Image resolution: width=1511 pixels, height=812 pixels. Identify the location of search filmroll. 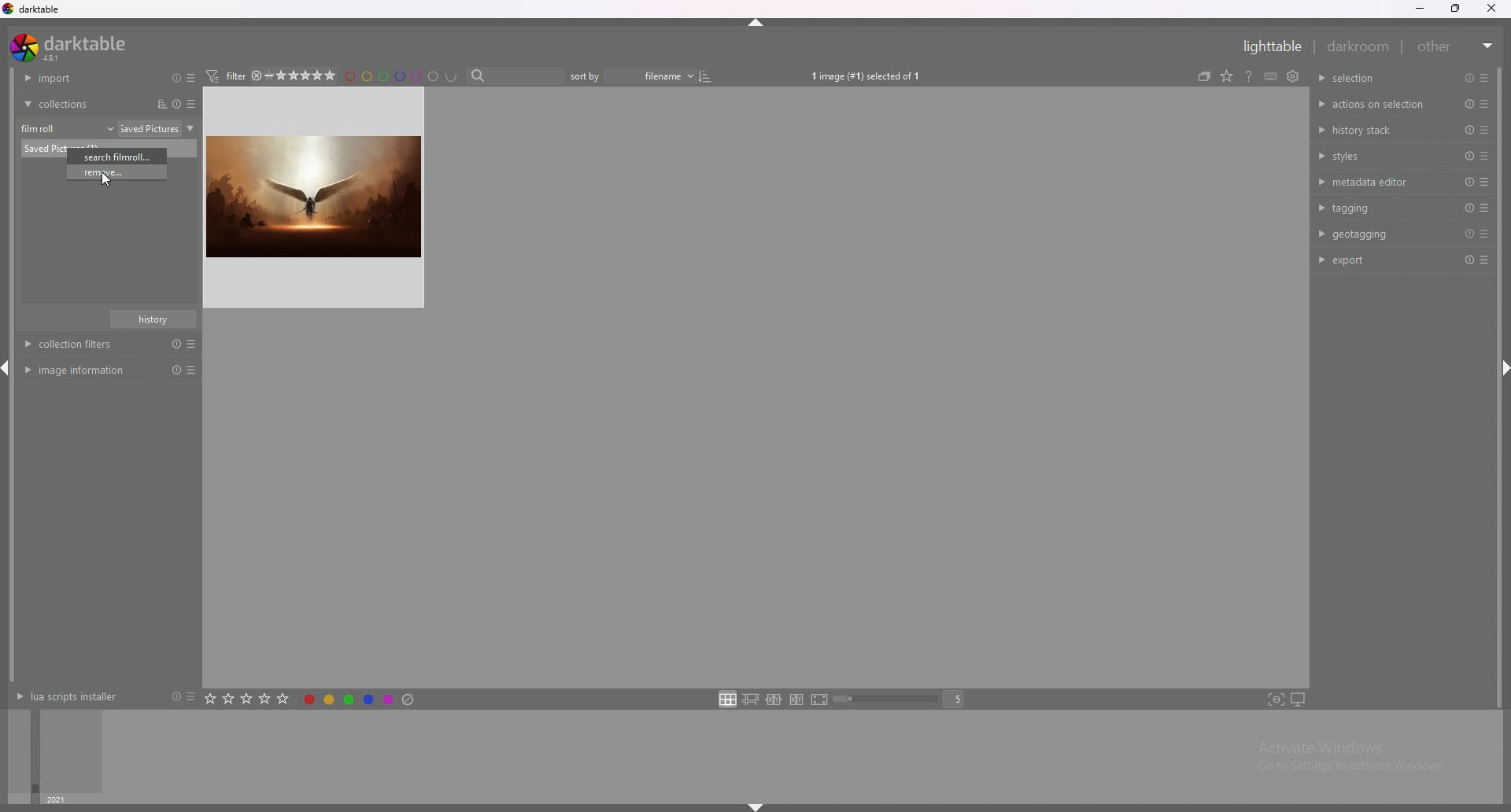
(117, 157).